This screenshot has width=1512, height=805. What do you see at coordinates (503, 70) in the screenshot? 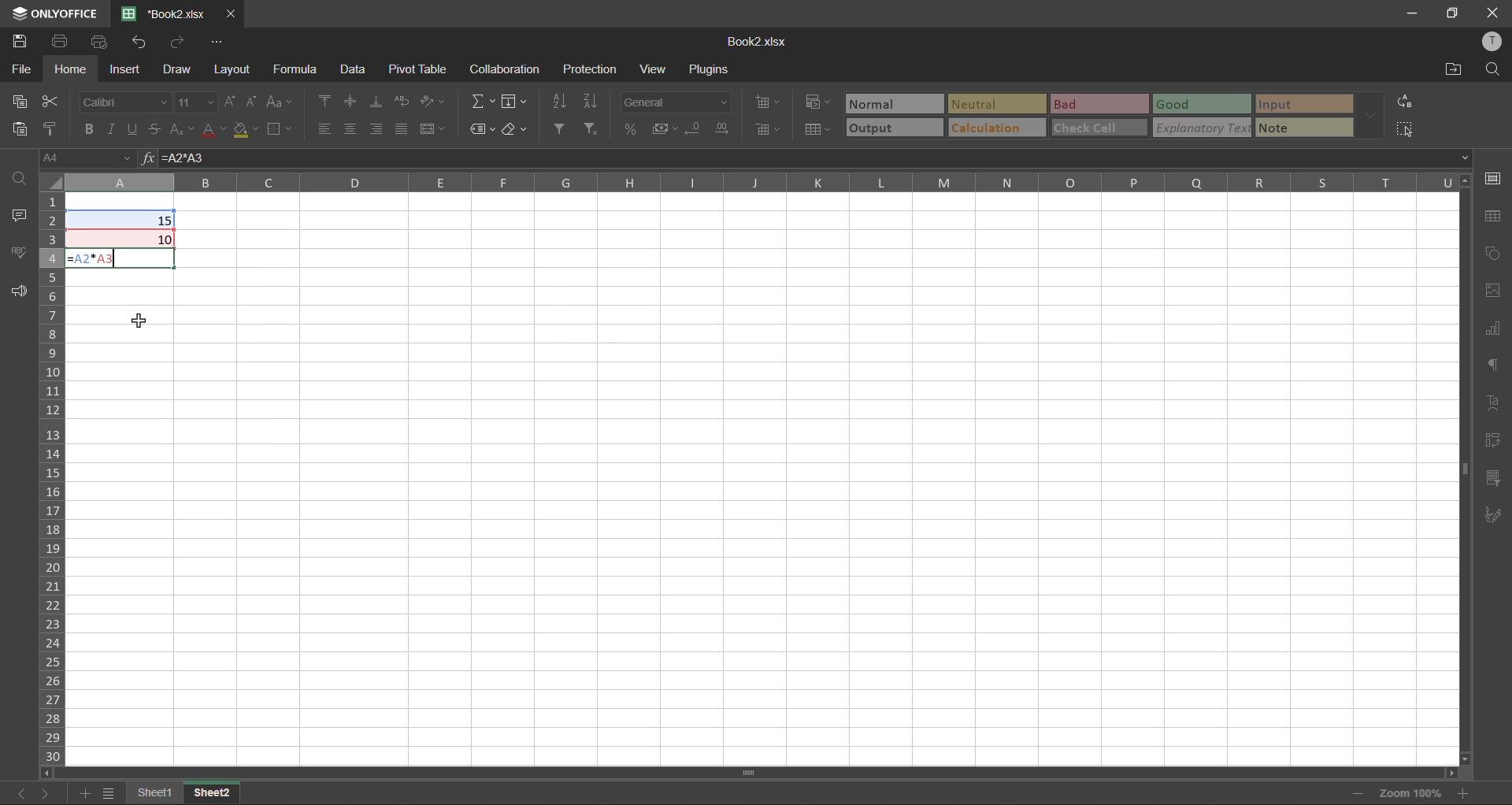
I see `collaboration` at bounding box center [503, 70].